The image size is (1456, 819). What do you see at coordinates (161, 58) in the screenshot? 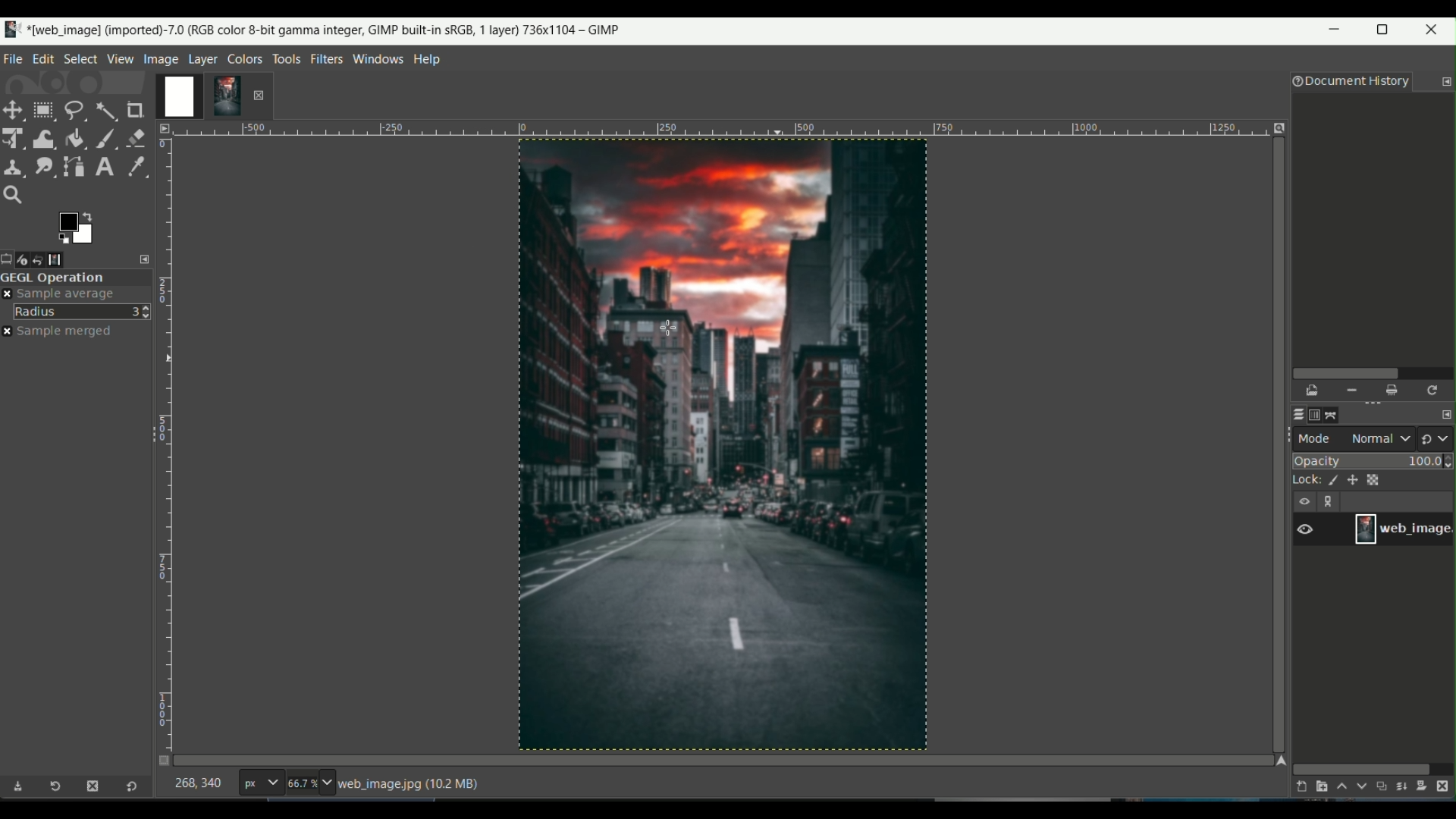
I see `image tab` at bounding box center [161, 58].